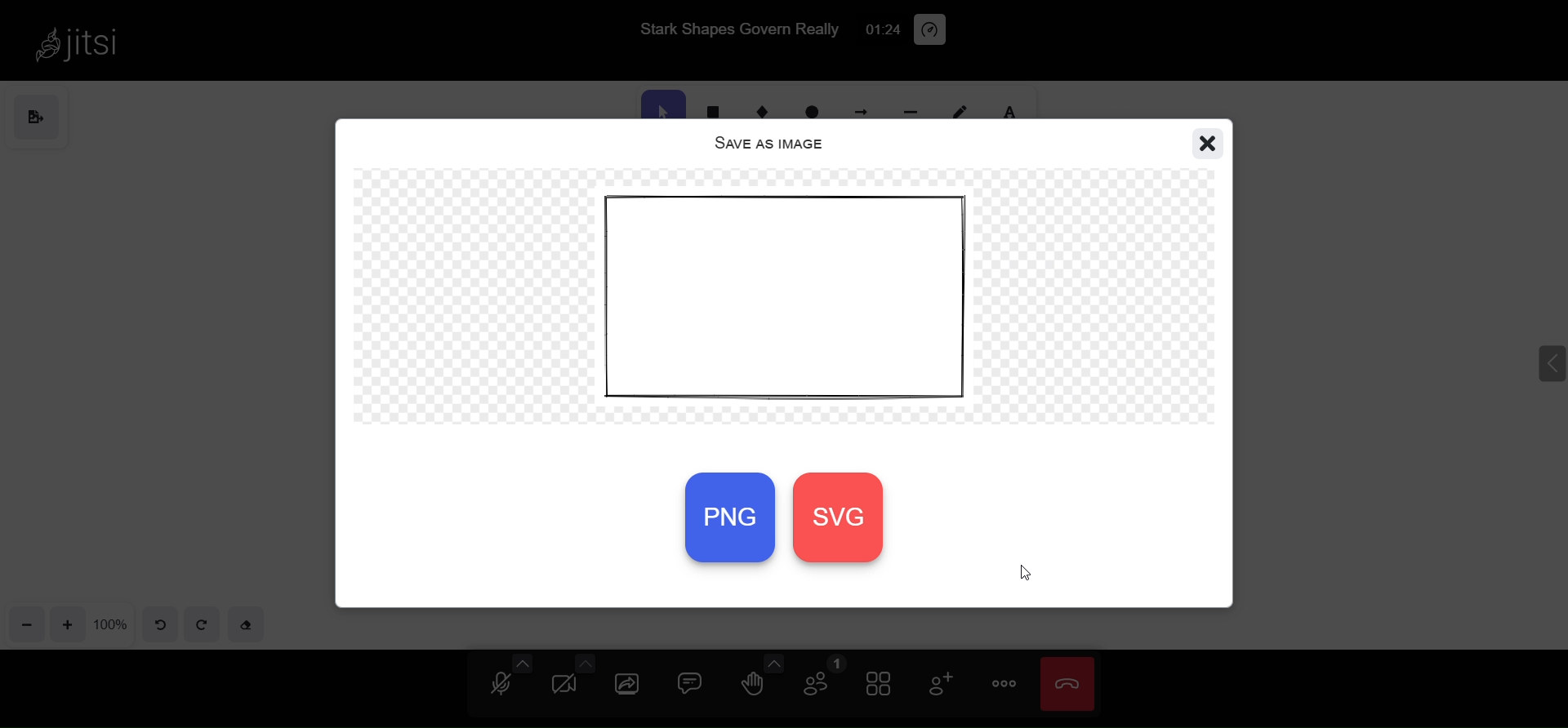 Image resolution: width=1568 pixels, height=728 pixels. What do you see at coordinates (931, 29) in the screenshot?
I see `performance setting` at bounding box center [931, 29].